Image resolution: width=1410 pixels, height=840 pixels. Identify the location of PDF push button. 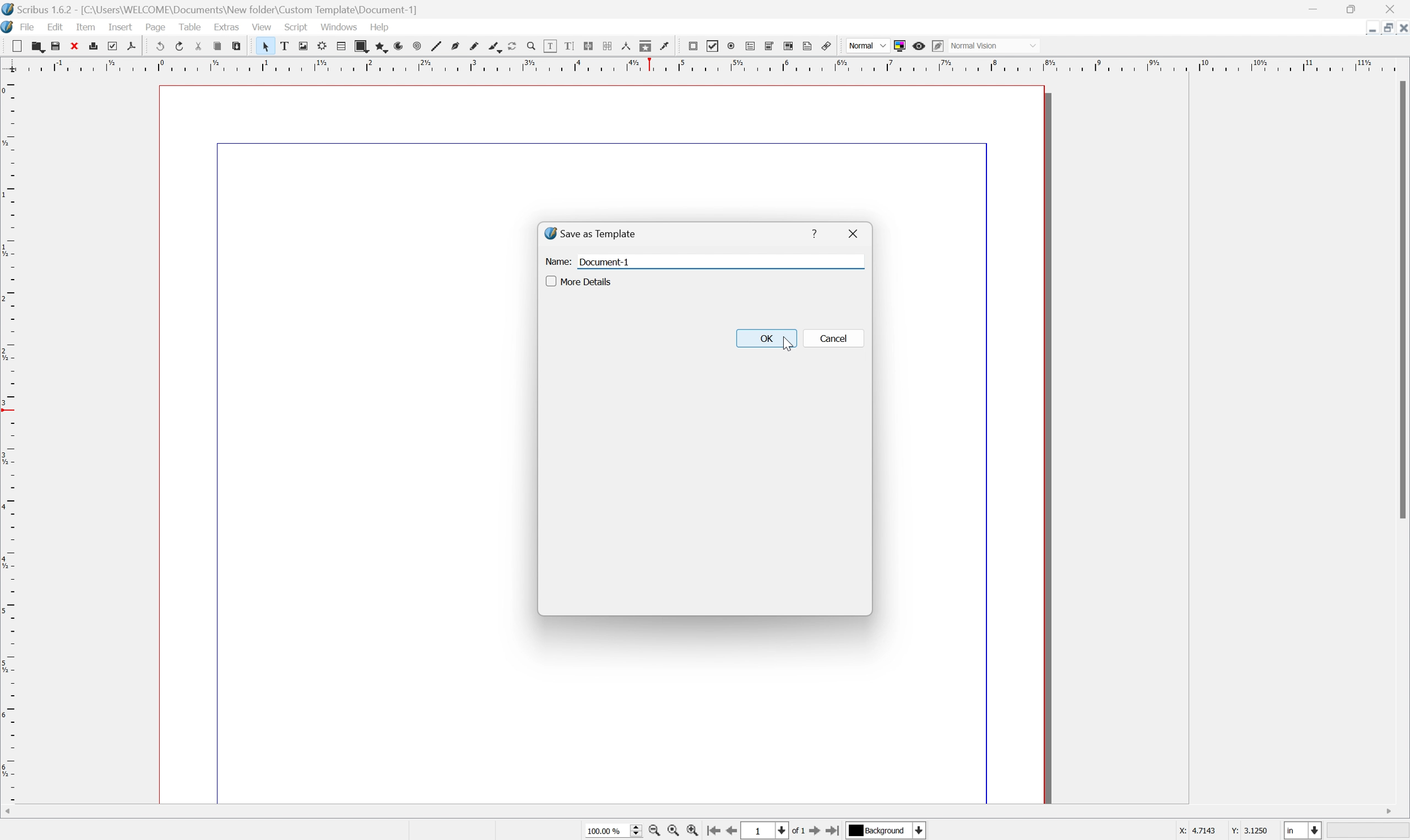
(691, 46).